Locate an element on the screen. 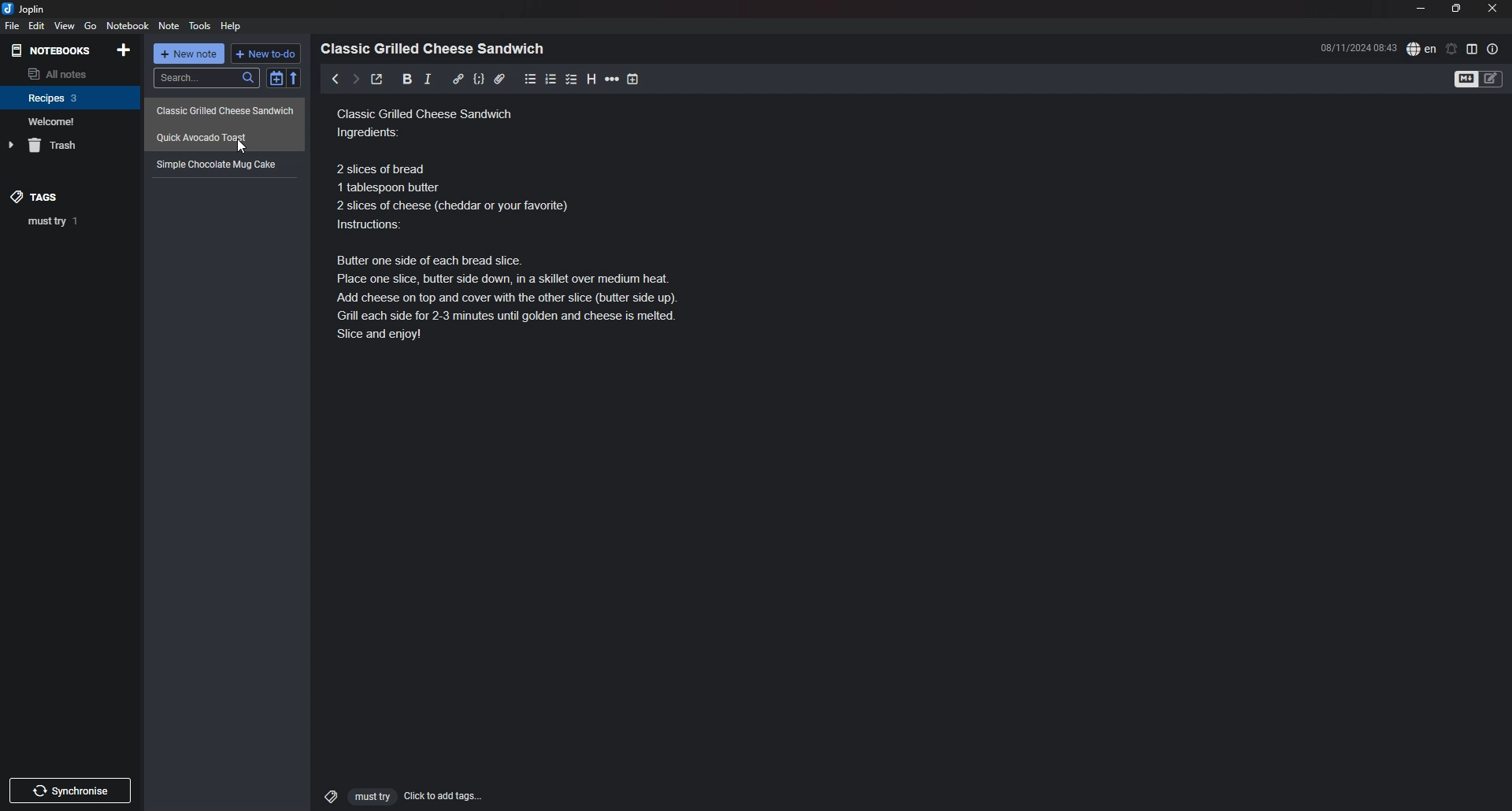 The image size is (1512, 811). Help is located at coordinates (232, 25).